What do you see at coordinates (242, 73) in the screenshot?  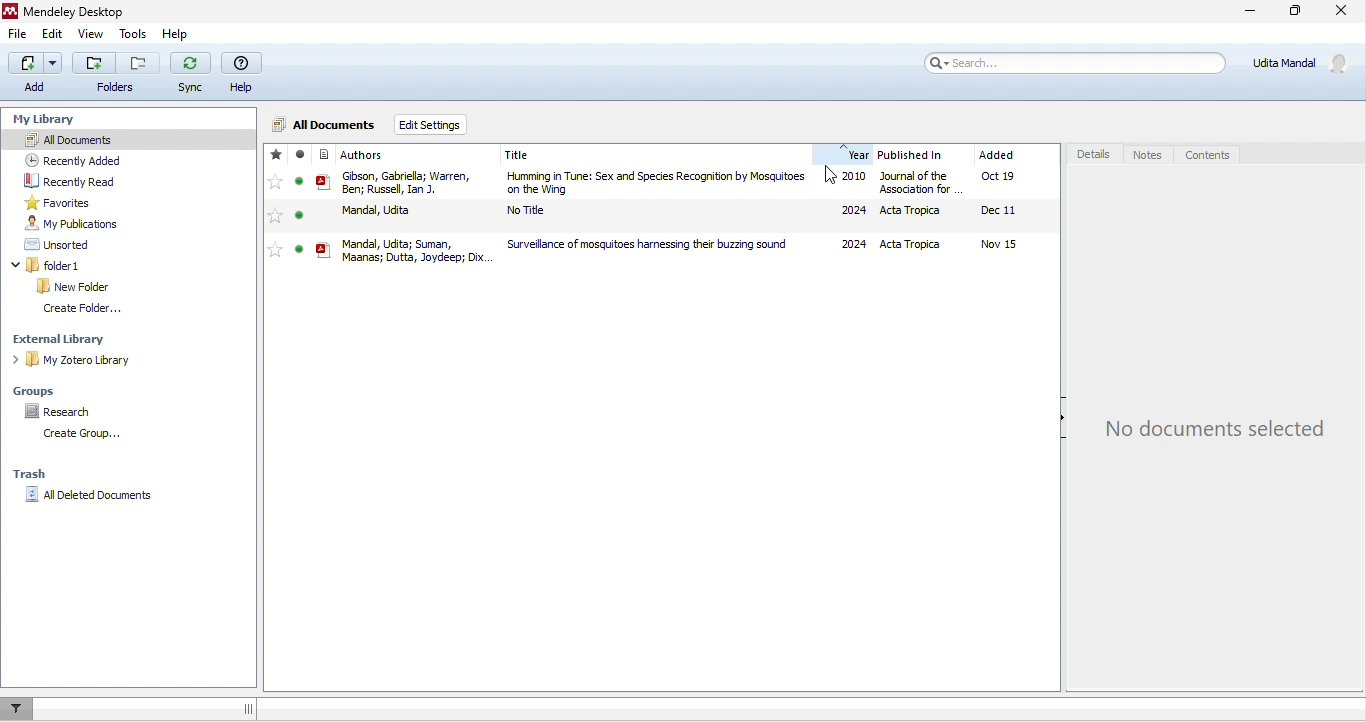 I see `help` at bounding box center [242, 73].